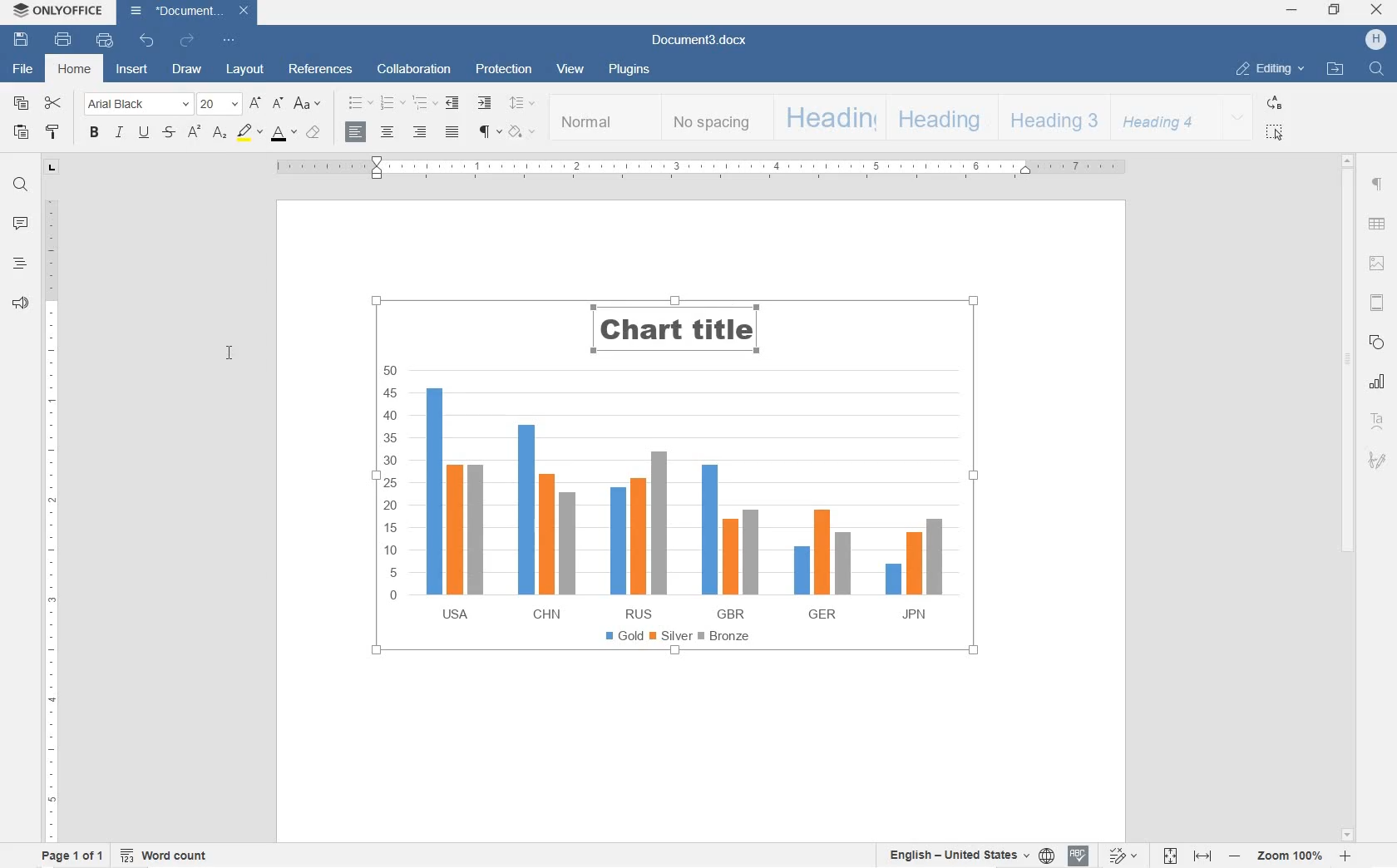  I want to click on CLOSE, so click(1379, 11).